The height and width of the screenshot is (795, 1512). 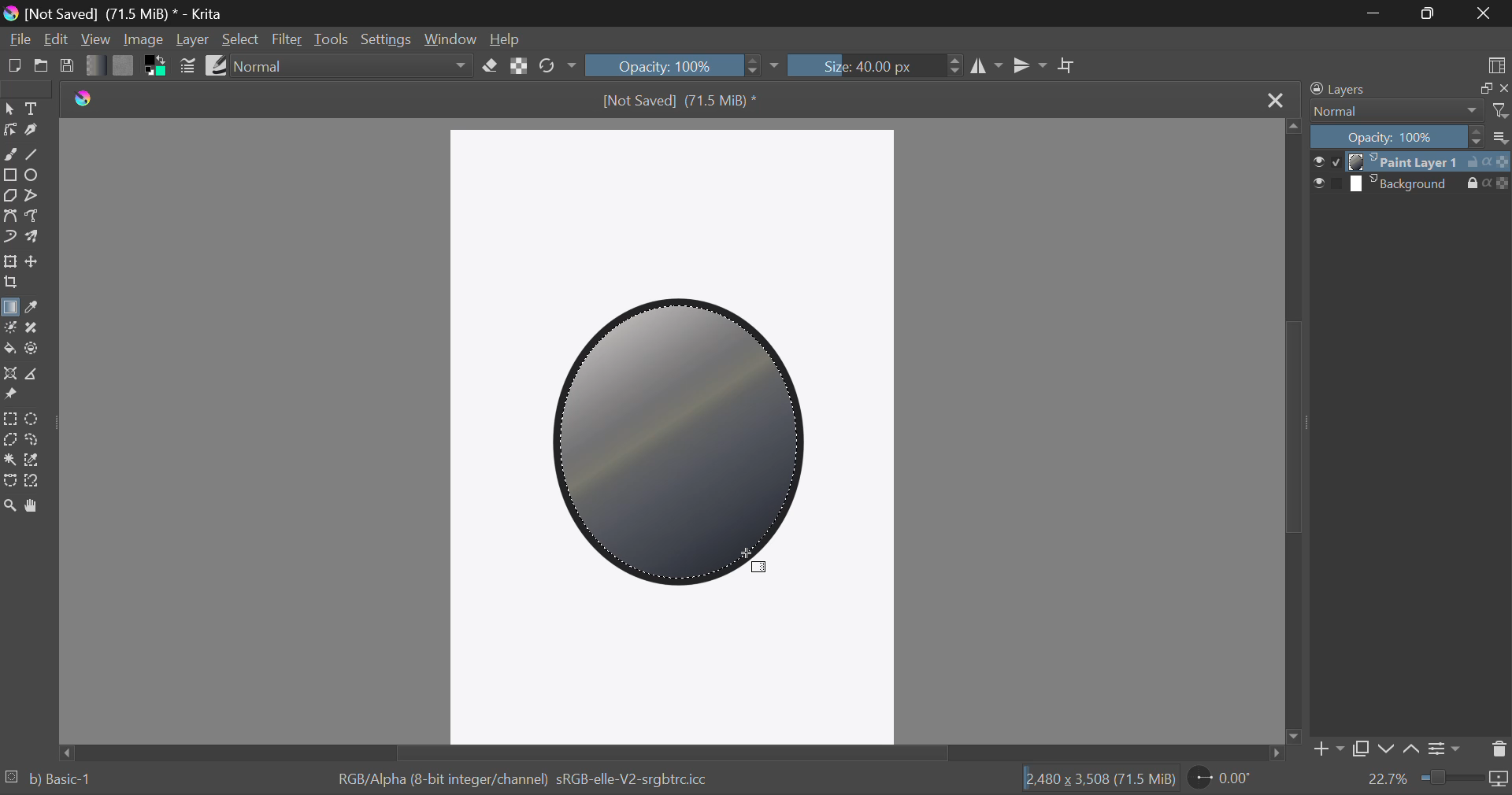 I want to click on Gradient Fill, so click(x=10, y=308).